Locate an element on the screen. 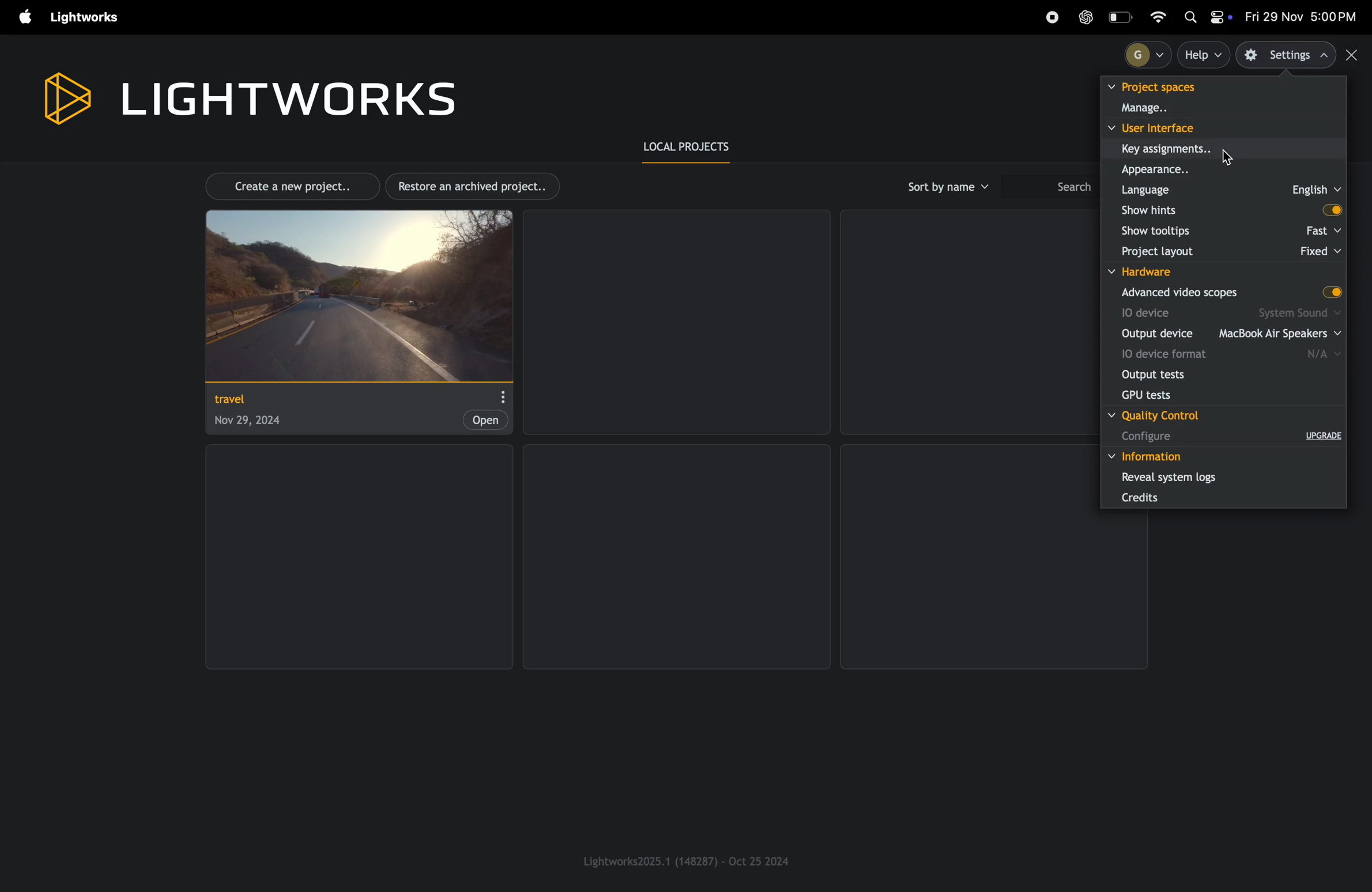 Image resolution: width=1372 pixels, height=892 pixels. project layout is located at coordinates (1154, 253).